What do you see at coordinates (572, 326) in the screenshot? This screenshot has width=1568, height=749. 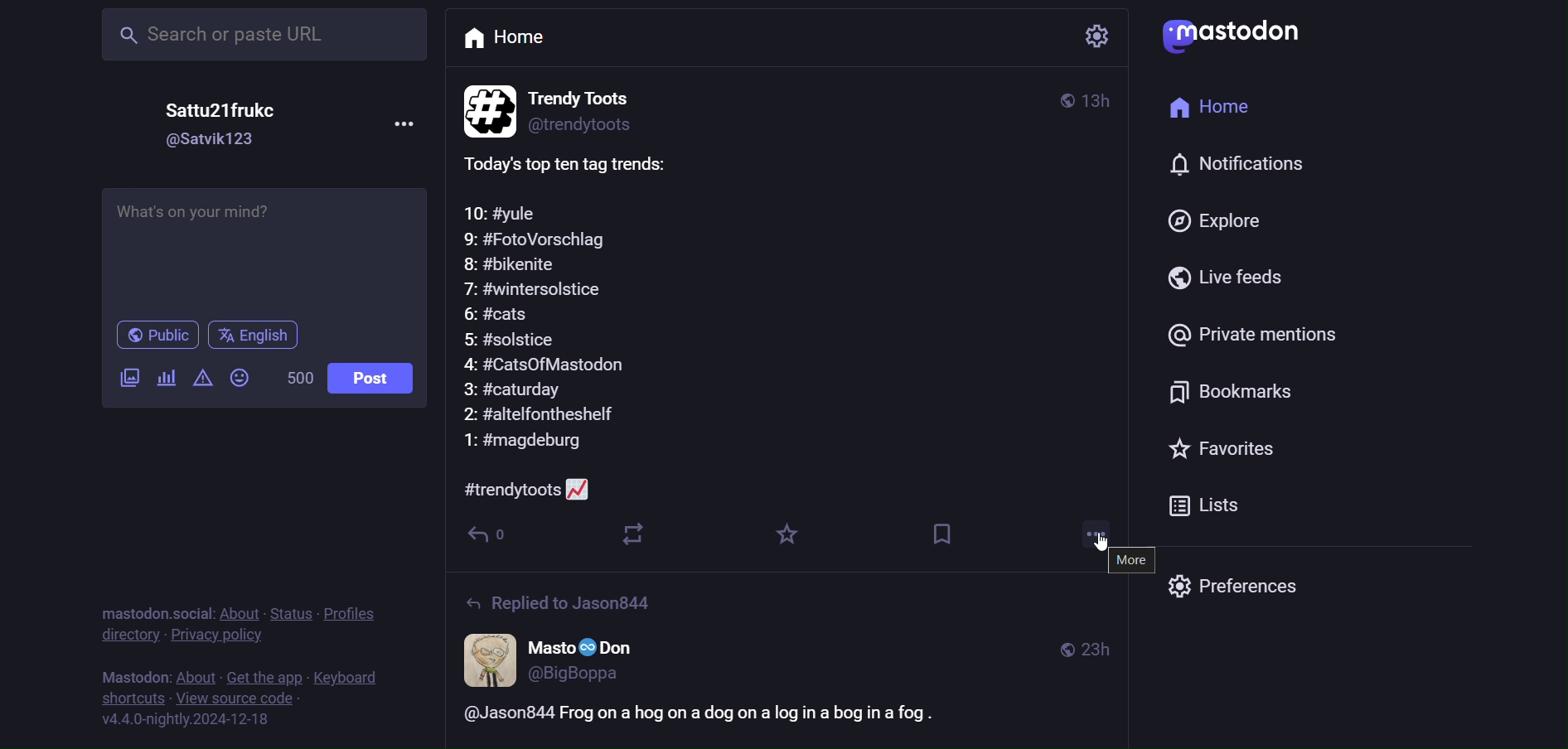 I see `post content` at bounding box center [572, 326].